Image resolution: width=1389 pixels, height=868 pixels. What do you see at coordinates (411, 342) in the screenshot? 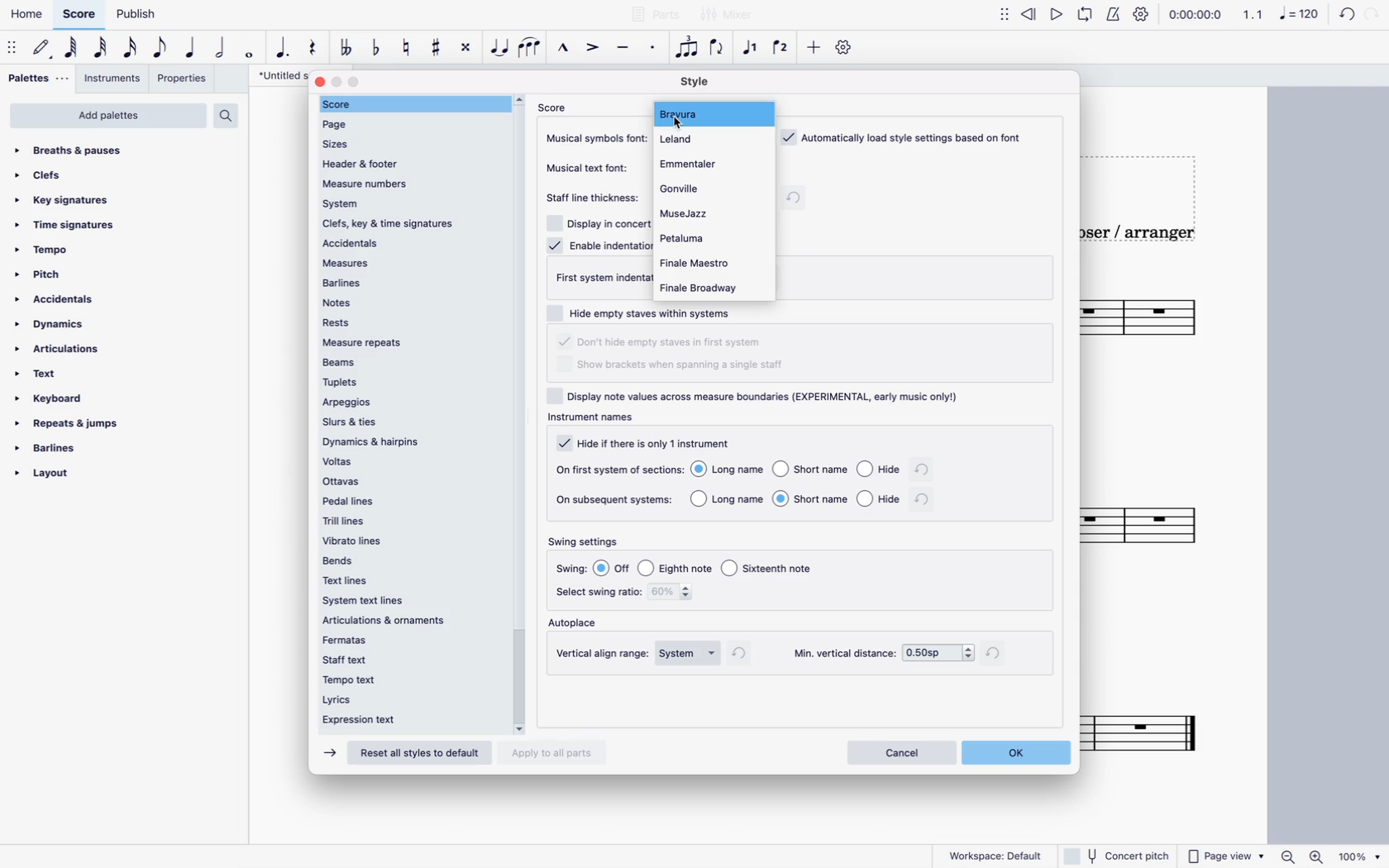
I see `measure repeats` at bounding box center [411, 342].